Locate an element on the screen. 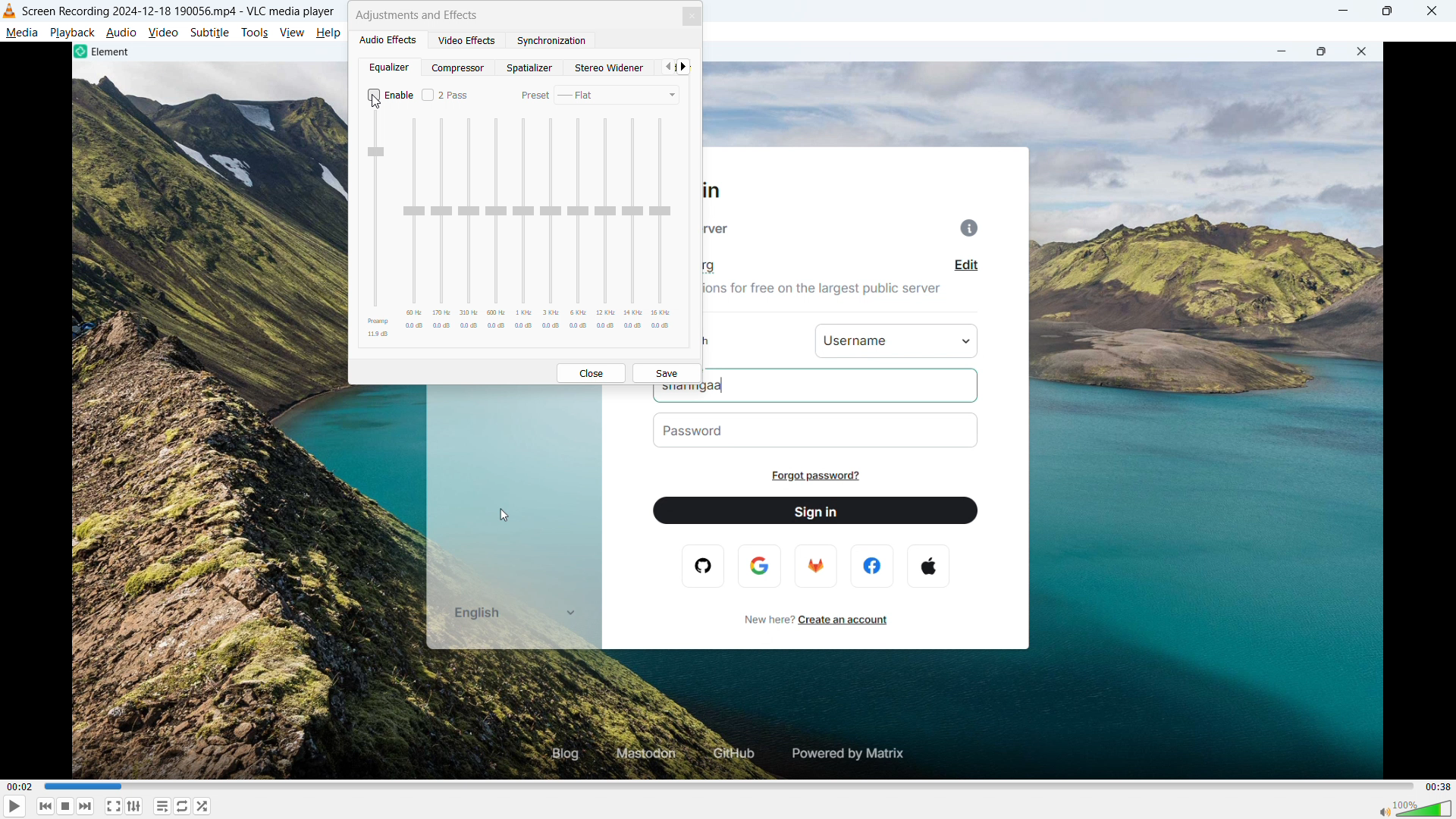 The height and width of the screenshot is (819, 1456). Adjust 60 Hertz  is located at coordinates (414, 225).